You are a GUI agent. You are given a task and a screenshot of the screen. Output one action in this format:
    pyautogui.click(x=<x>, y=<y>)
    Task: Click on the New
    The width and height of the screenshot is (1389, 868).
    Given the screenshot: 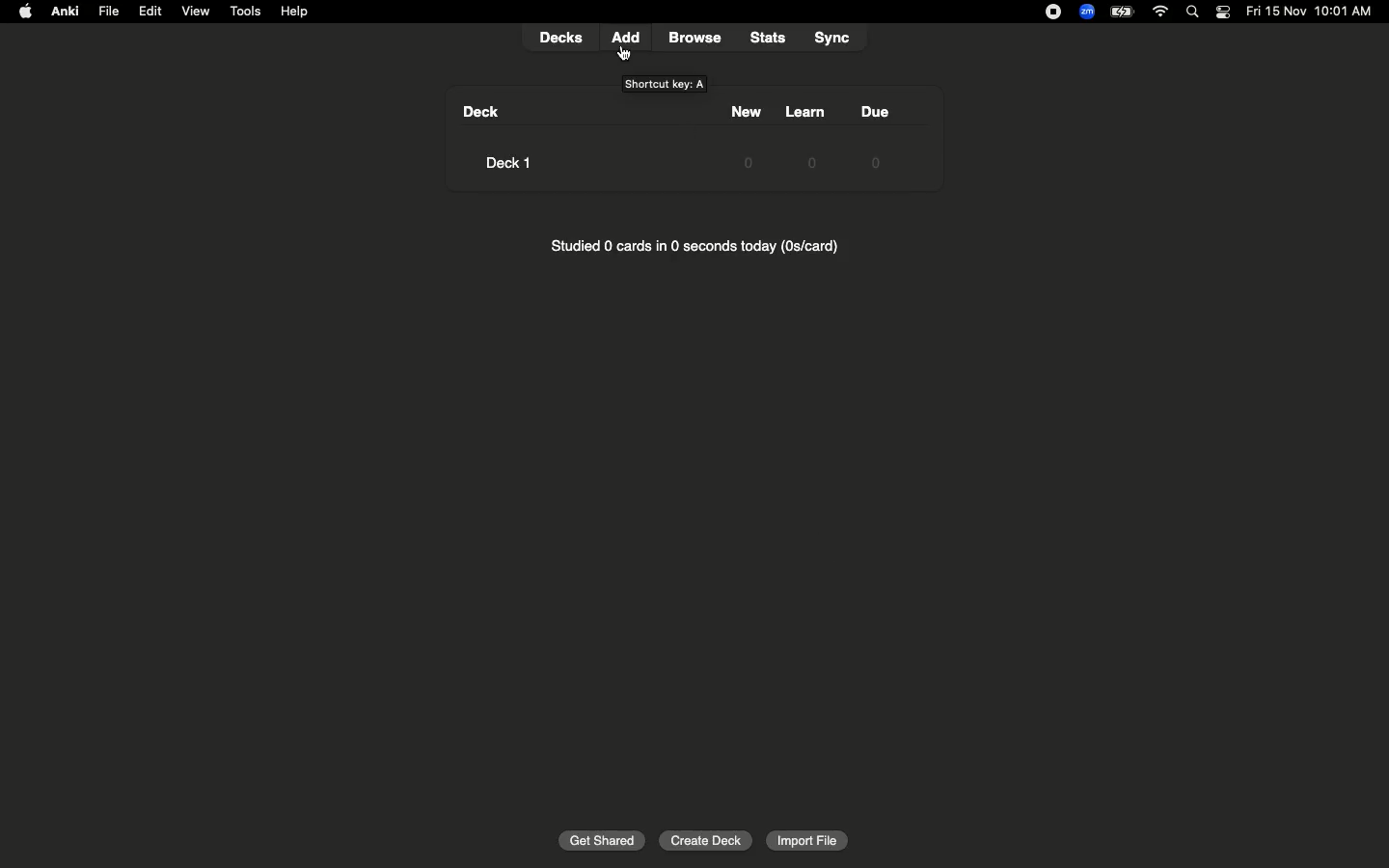 What is the action you would take?
    pyautogui.click(x=740, y=136)
    